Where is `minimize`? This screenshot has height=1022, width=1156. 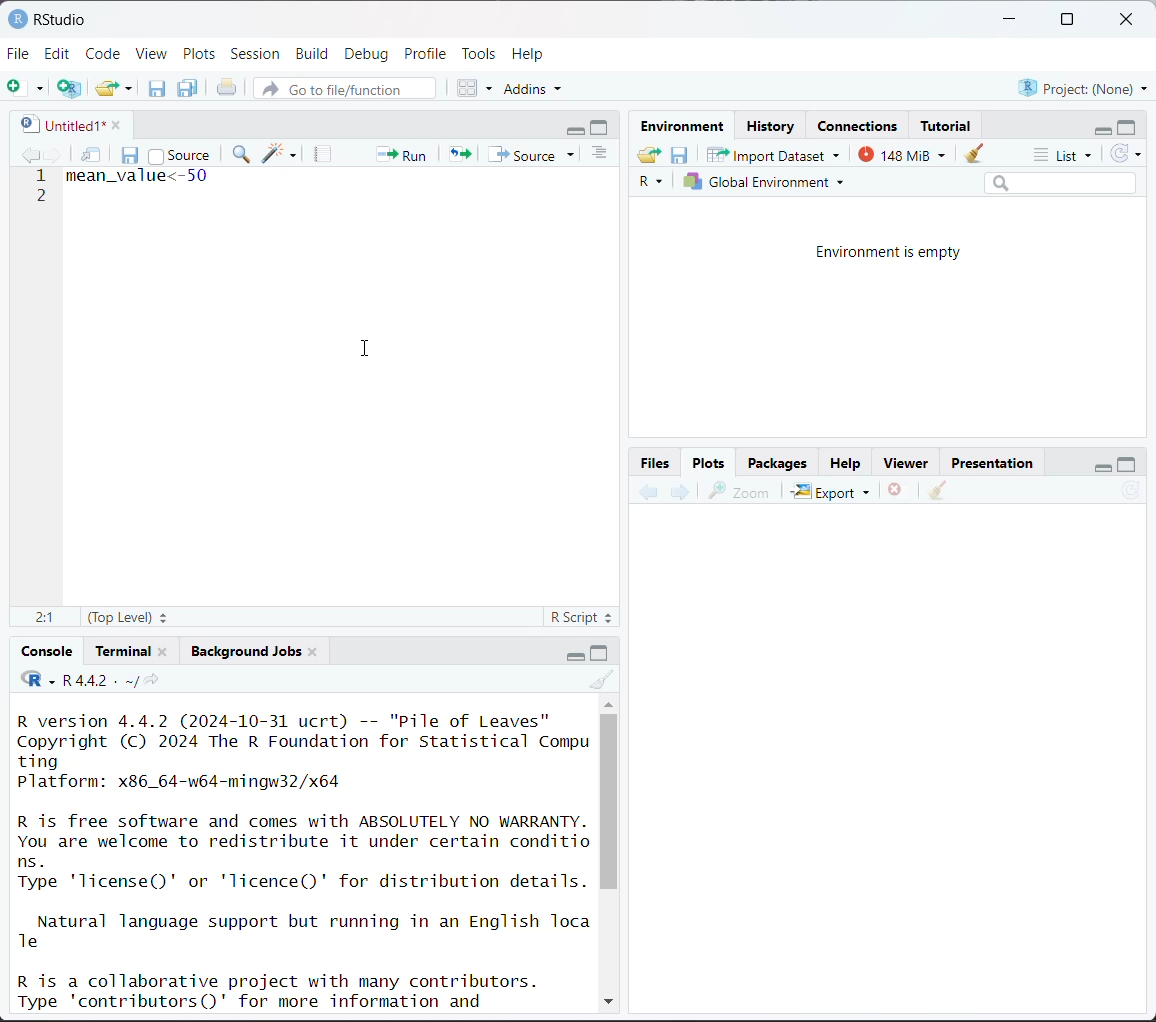
minimize is located at coordinates (1099, 128).